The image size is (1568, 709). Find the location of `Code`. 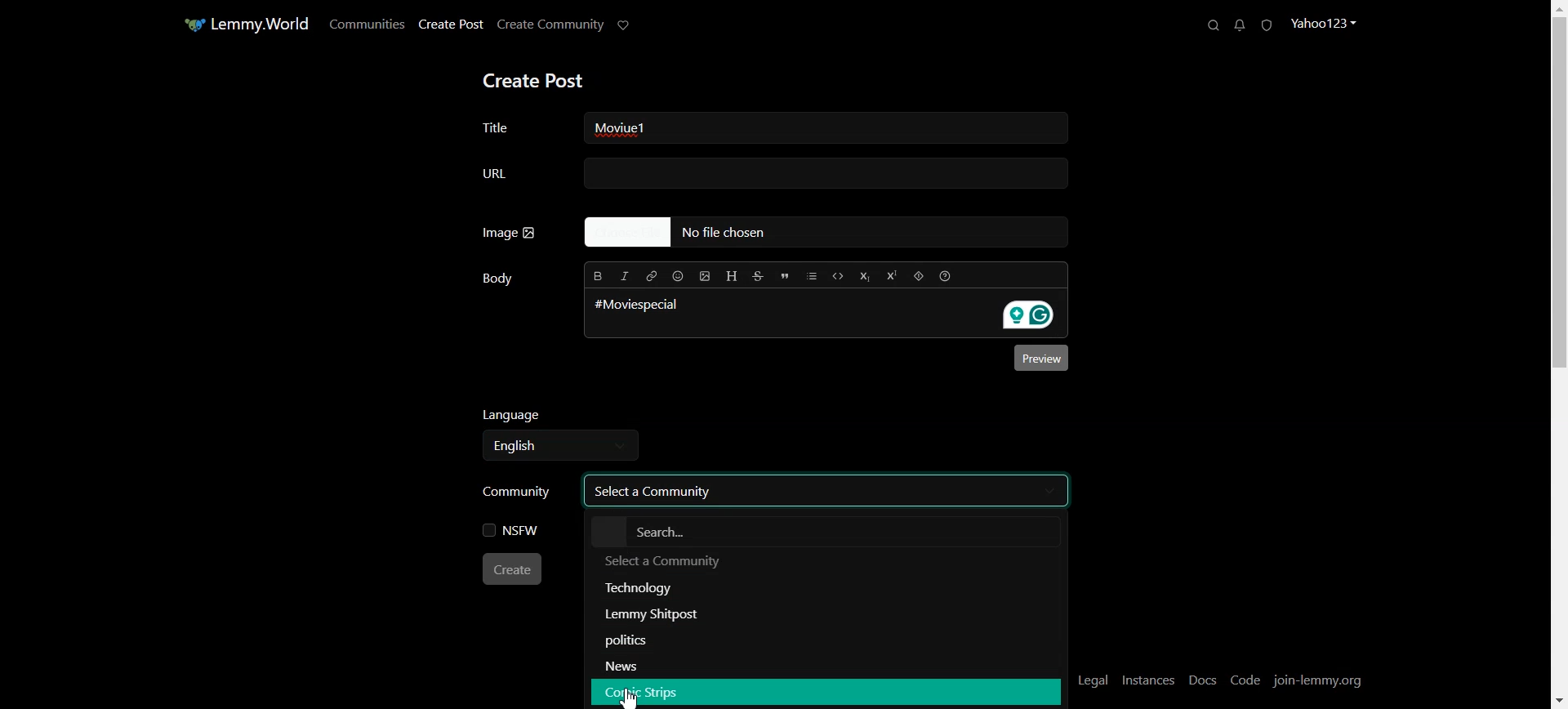

Code is located at coordinates (839, 275).